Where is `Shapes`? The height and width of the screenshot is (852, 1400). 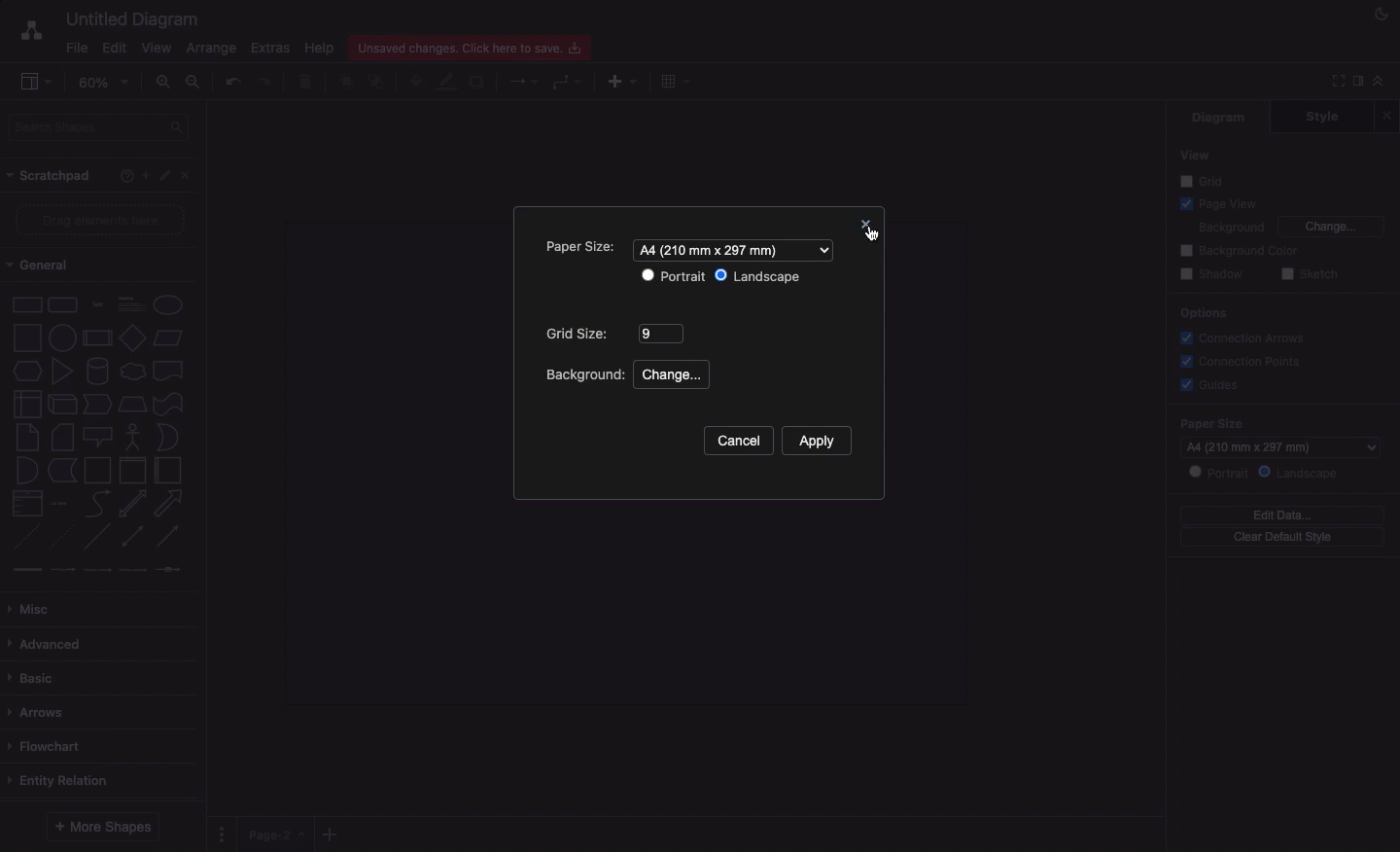
Shapes is located at coordinates (99, 436).